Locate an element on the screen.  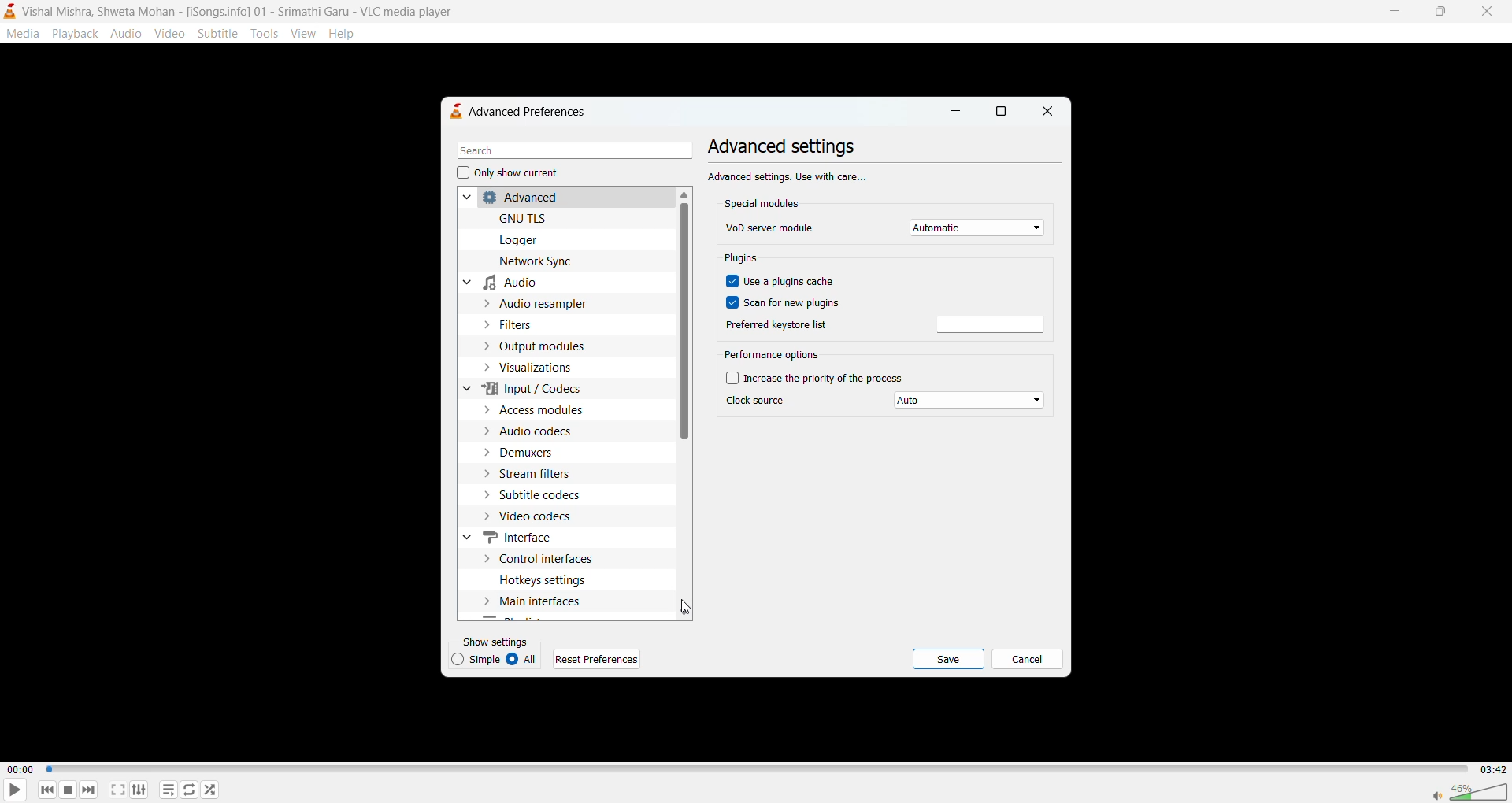
stream filters is located at coordinates (543, 472).